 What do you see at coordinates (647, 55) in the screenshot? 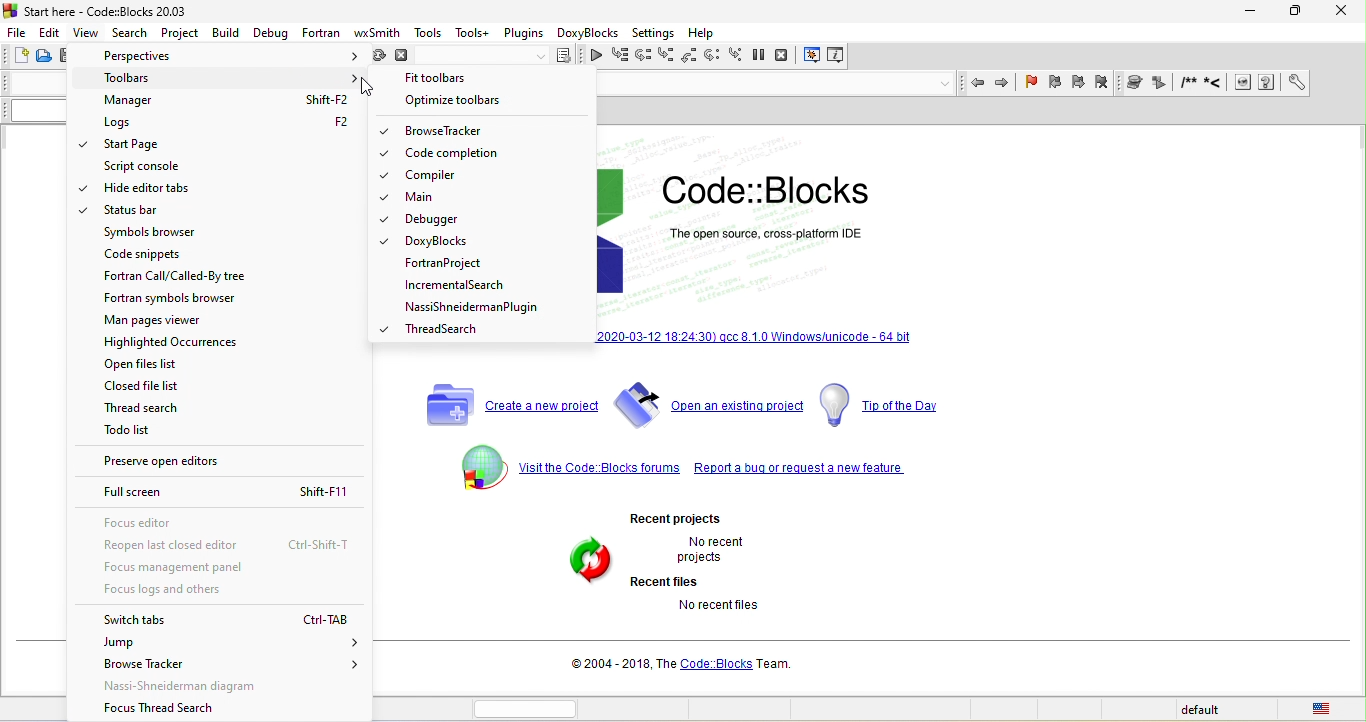
I see `next line` at bounding box center [647, 55].